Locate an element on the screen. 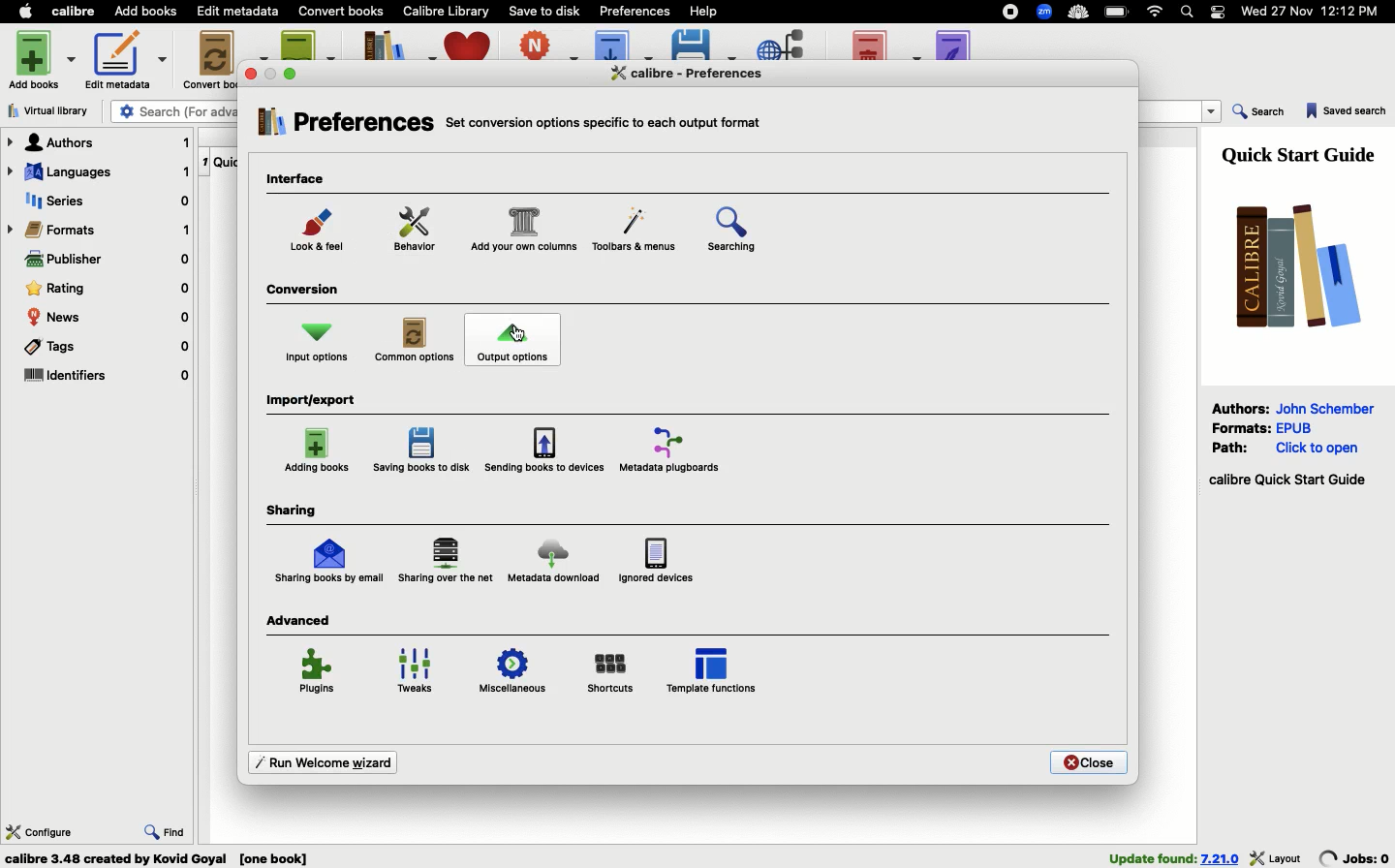 This screenshot has width=1395, height=868. John Schember is located at coordinates (1328, 407).